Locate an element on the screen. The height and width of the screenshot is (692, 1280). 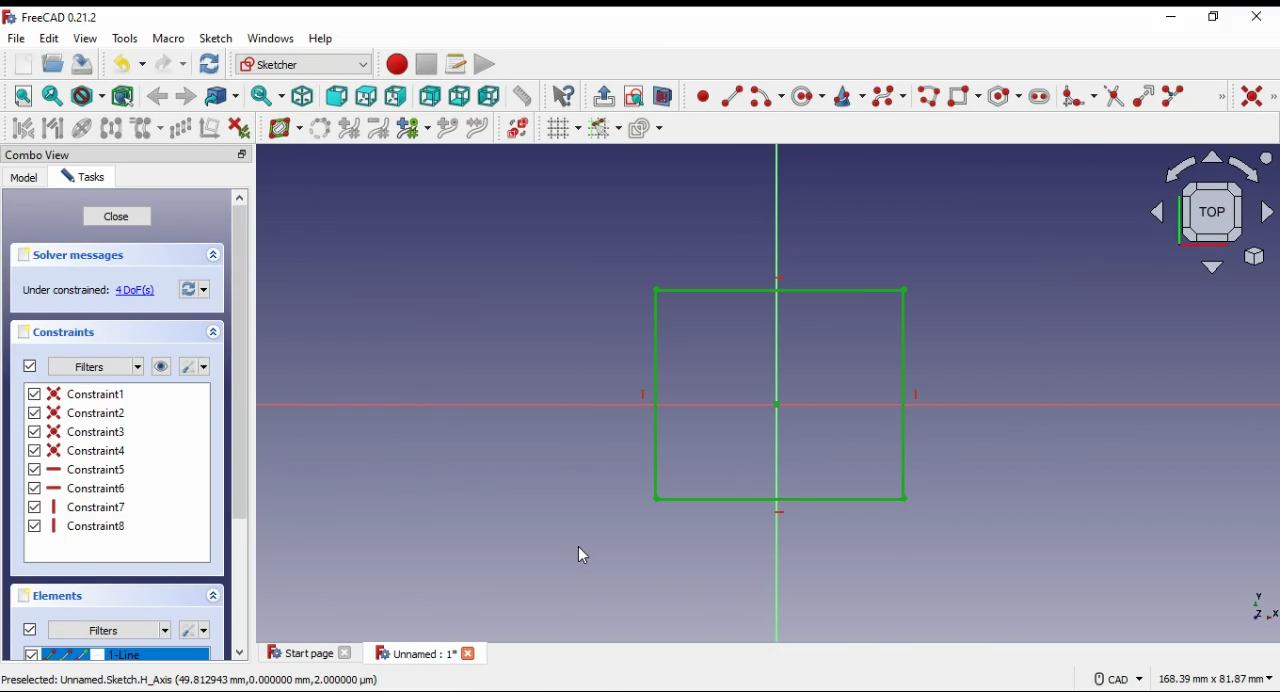
  1-line is located at coordinates (129, 654).